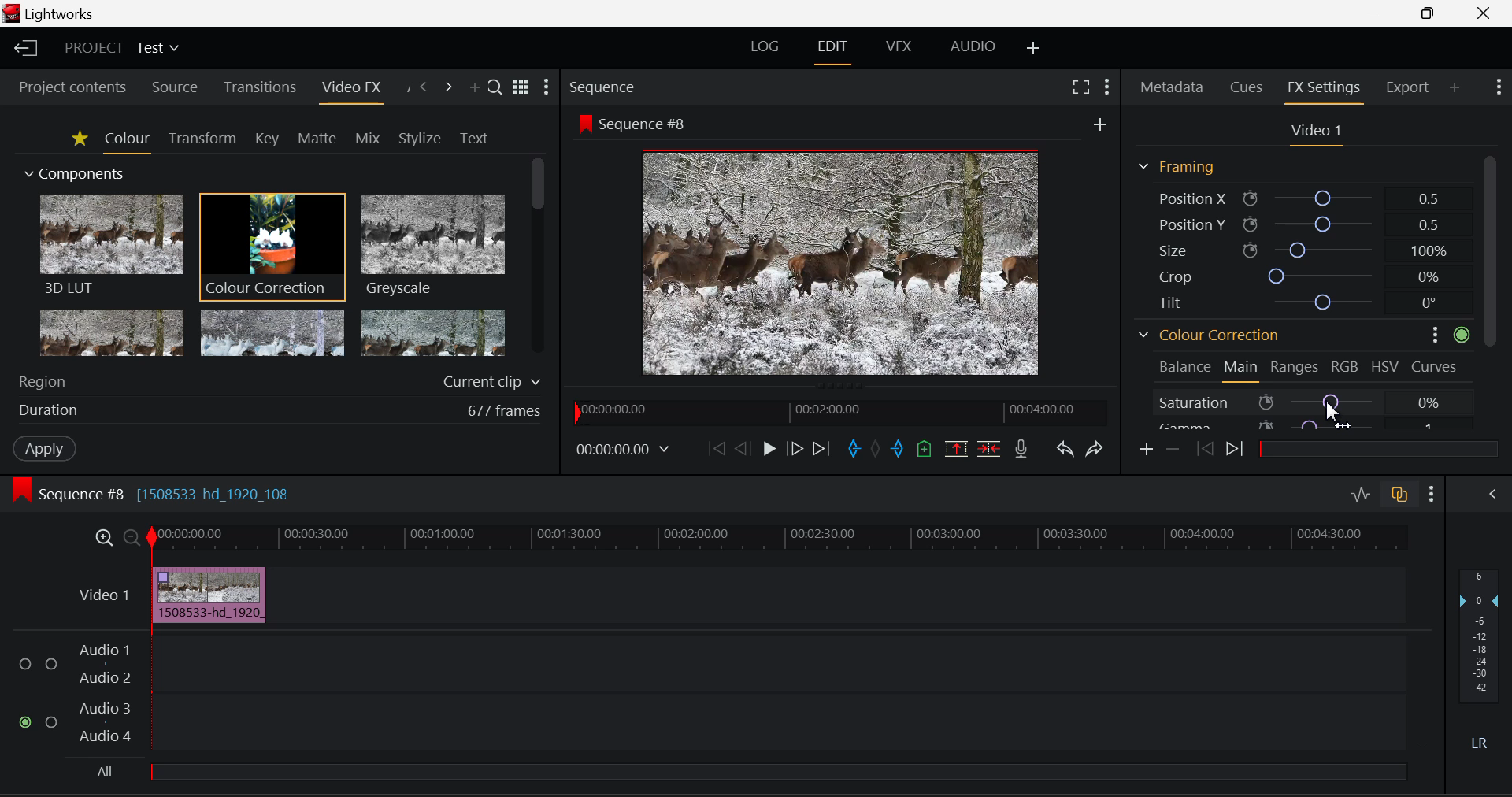 The image size is (1512, 797). Describe the element at coordinates (1299, 198) in the screenshot. I see `Position X` at that location.